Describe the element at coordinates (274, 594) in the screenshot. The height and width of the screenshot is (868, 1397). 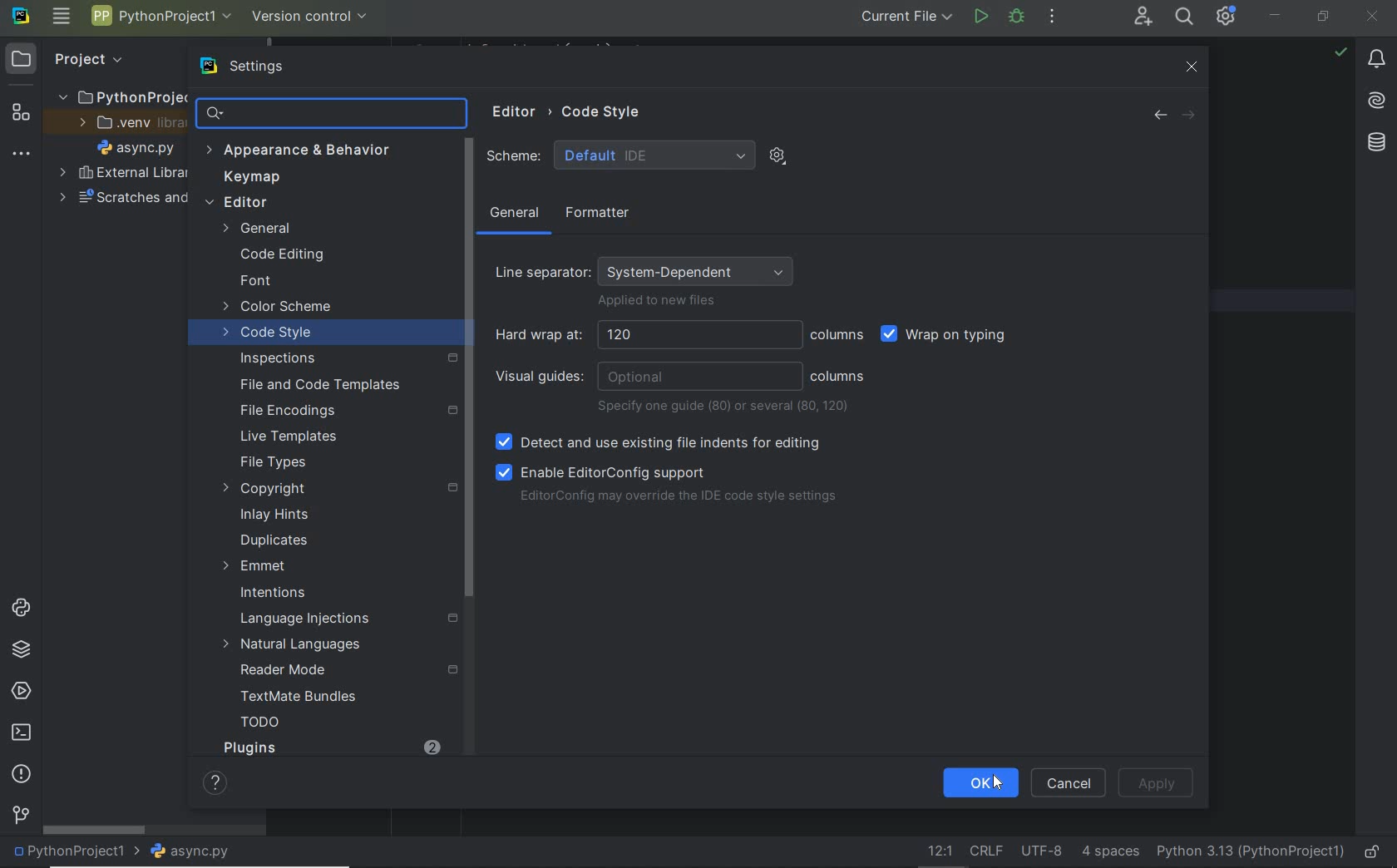
I see `Intentions` at that location.